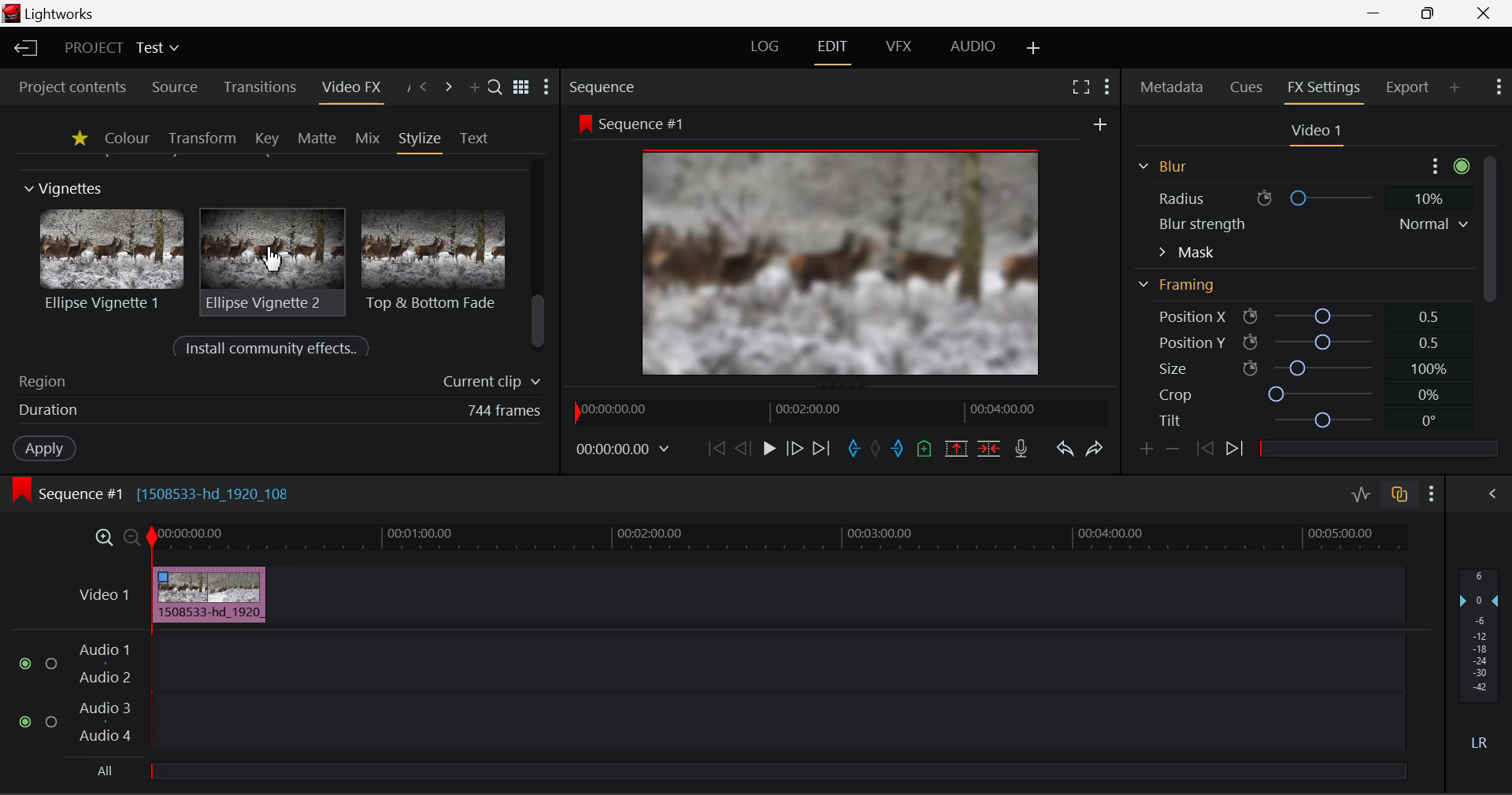 The image size is (1512, 795). I want to click on Ellipse Vignette 1, so click(113, 260).